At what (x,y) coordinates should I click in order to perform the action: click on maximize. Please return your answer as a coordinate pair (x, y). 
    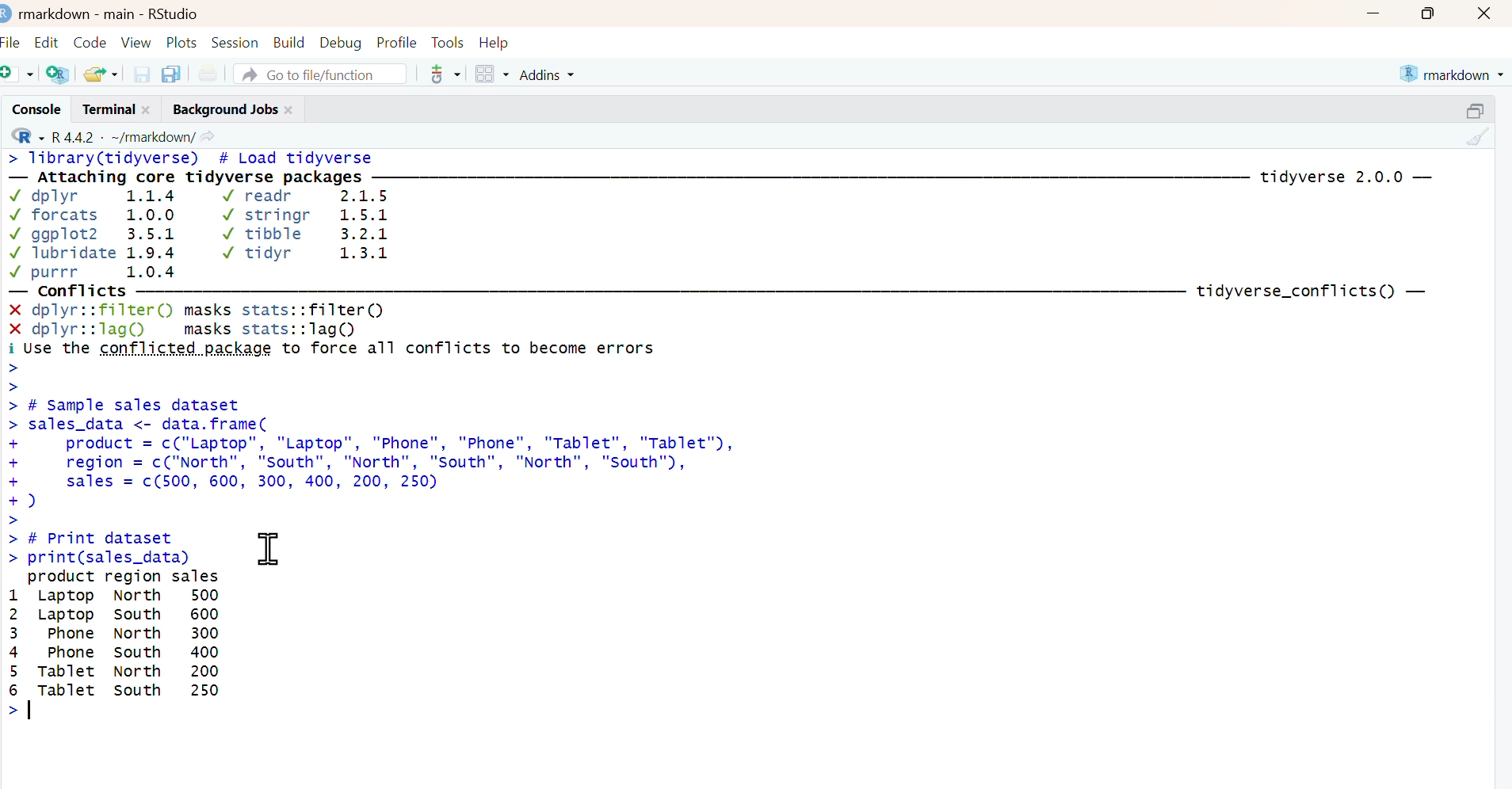
    Looking at the image, I should click on (1434, 13).